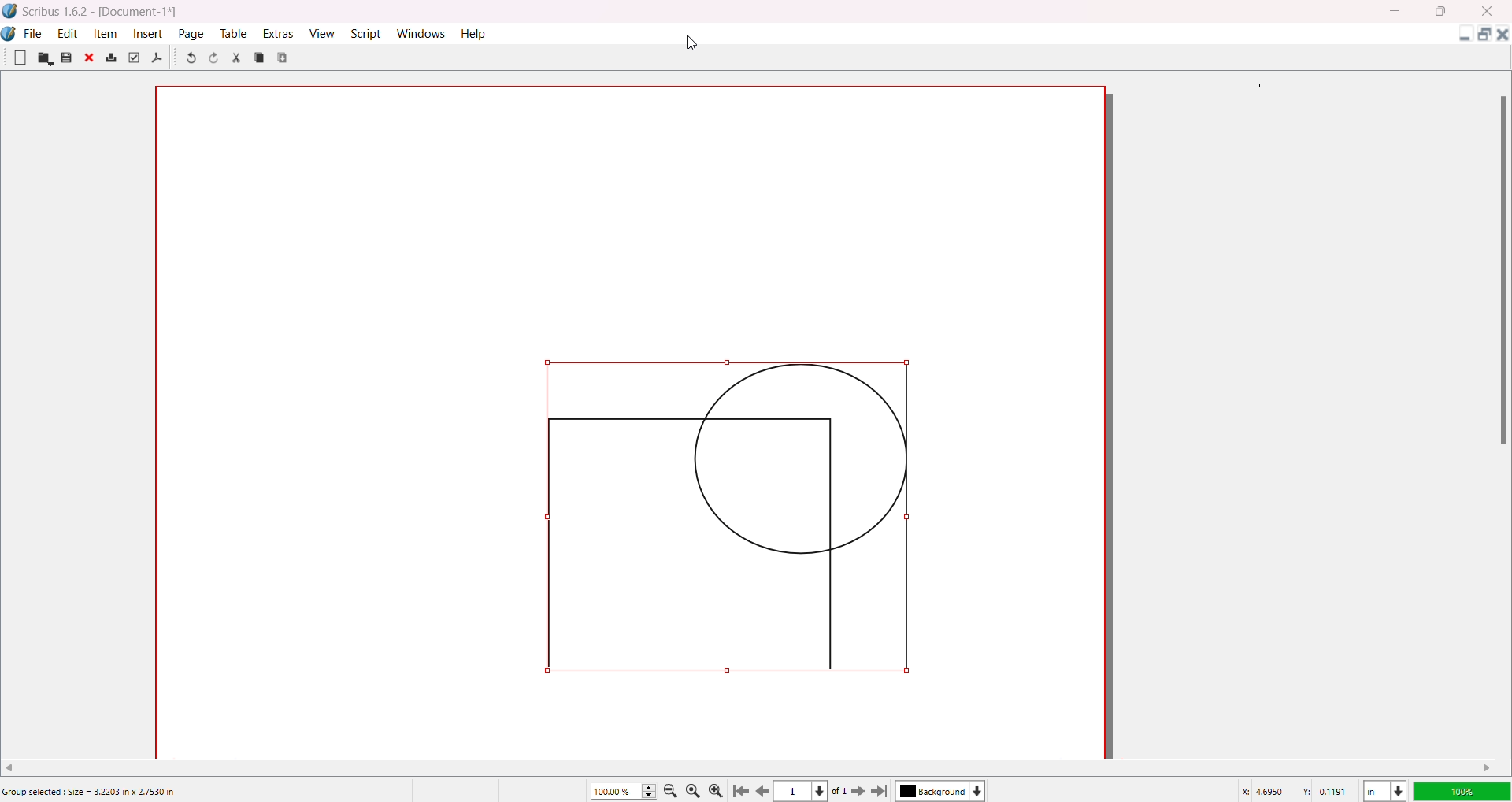  What do you see at coordinates (20, 57) in the screenshot?
I see `New` at bounding box center [20, 57].